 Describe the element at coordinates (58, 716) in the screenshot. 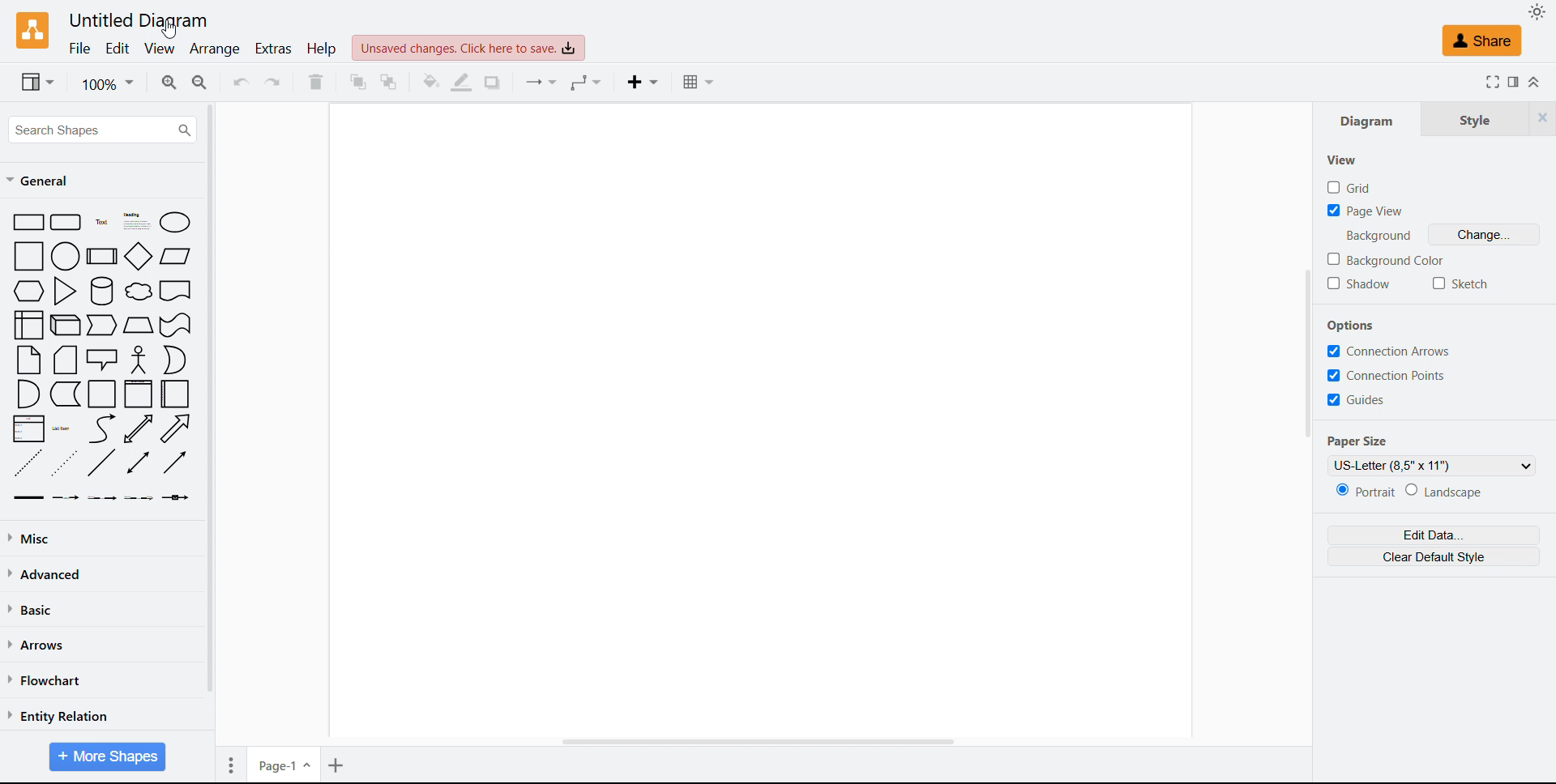

I see `Entity relation ` at that location.